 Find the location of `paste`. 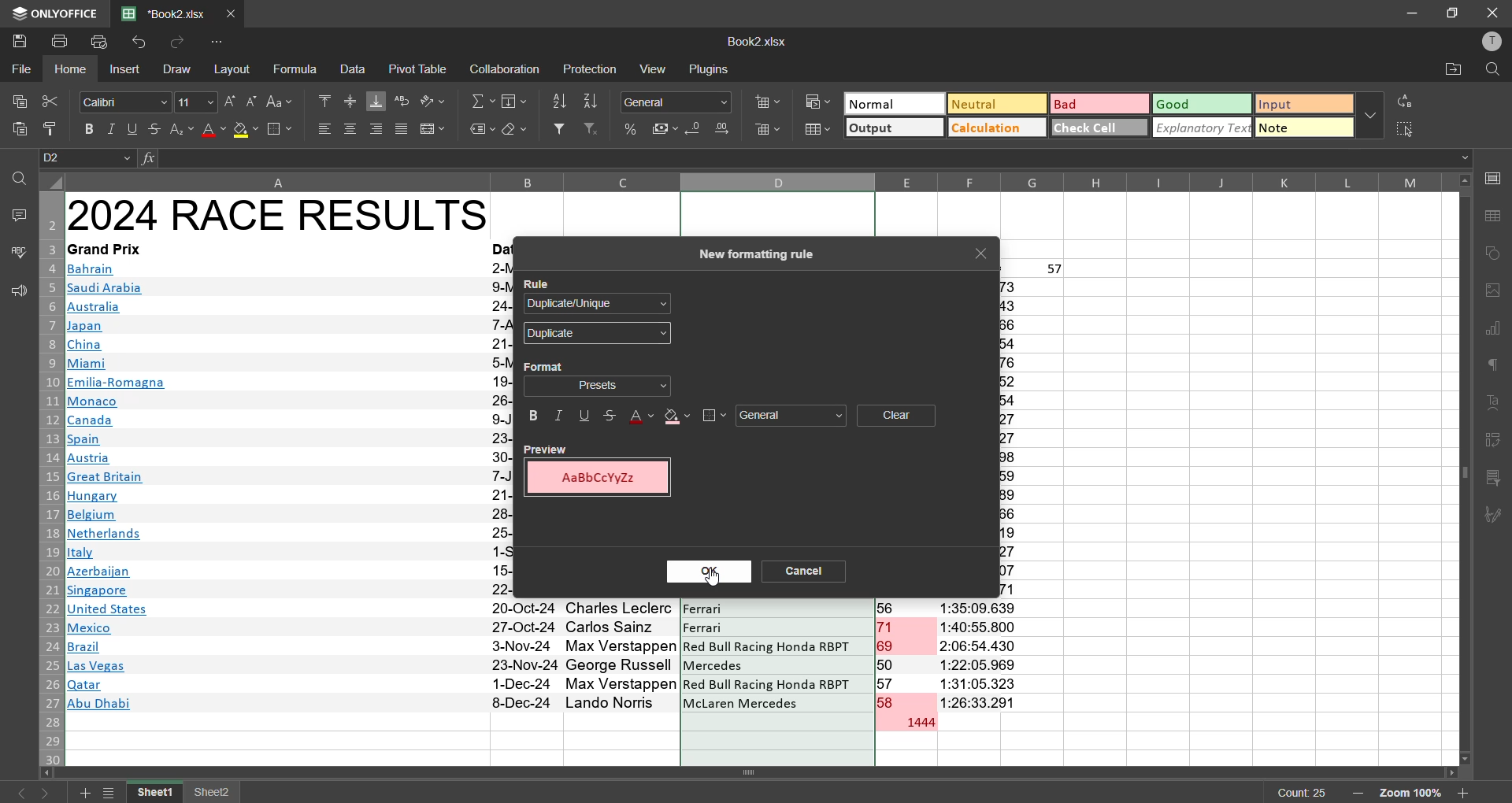

paste is located at coordinates (20, 132).